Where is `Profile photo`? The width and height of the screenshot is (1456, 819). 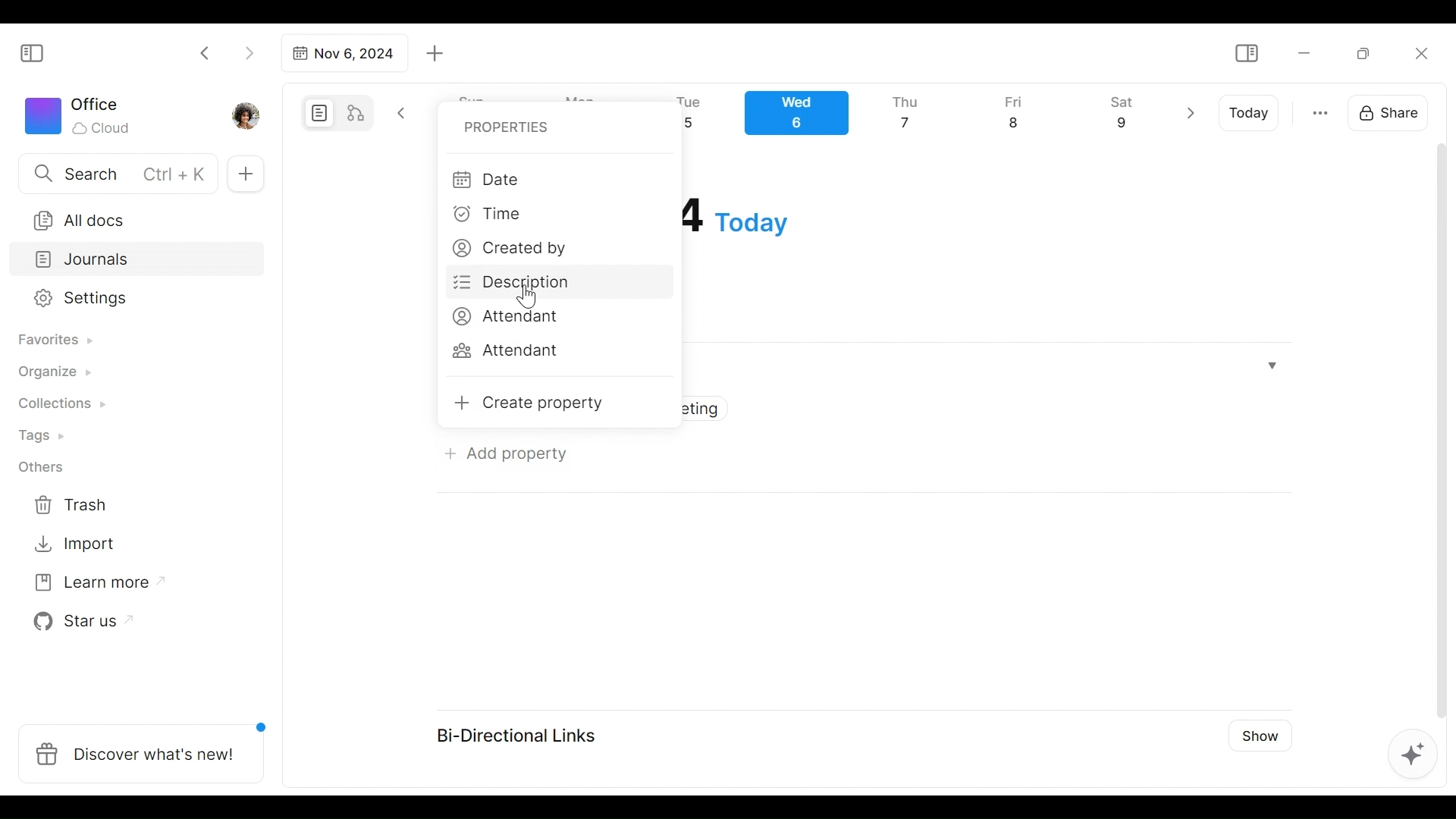 Profile photo is located at coordinates (247, 112).